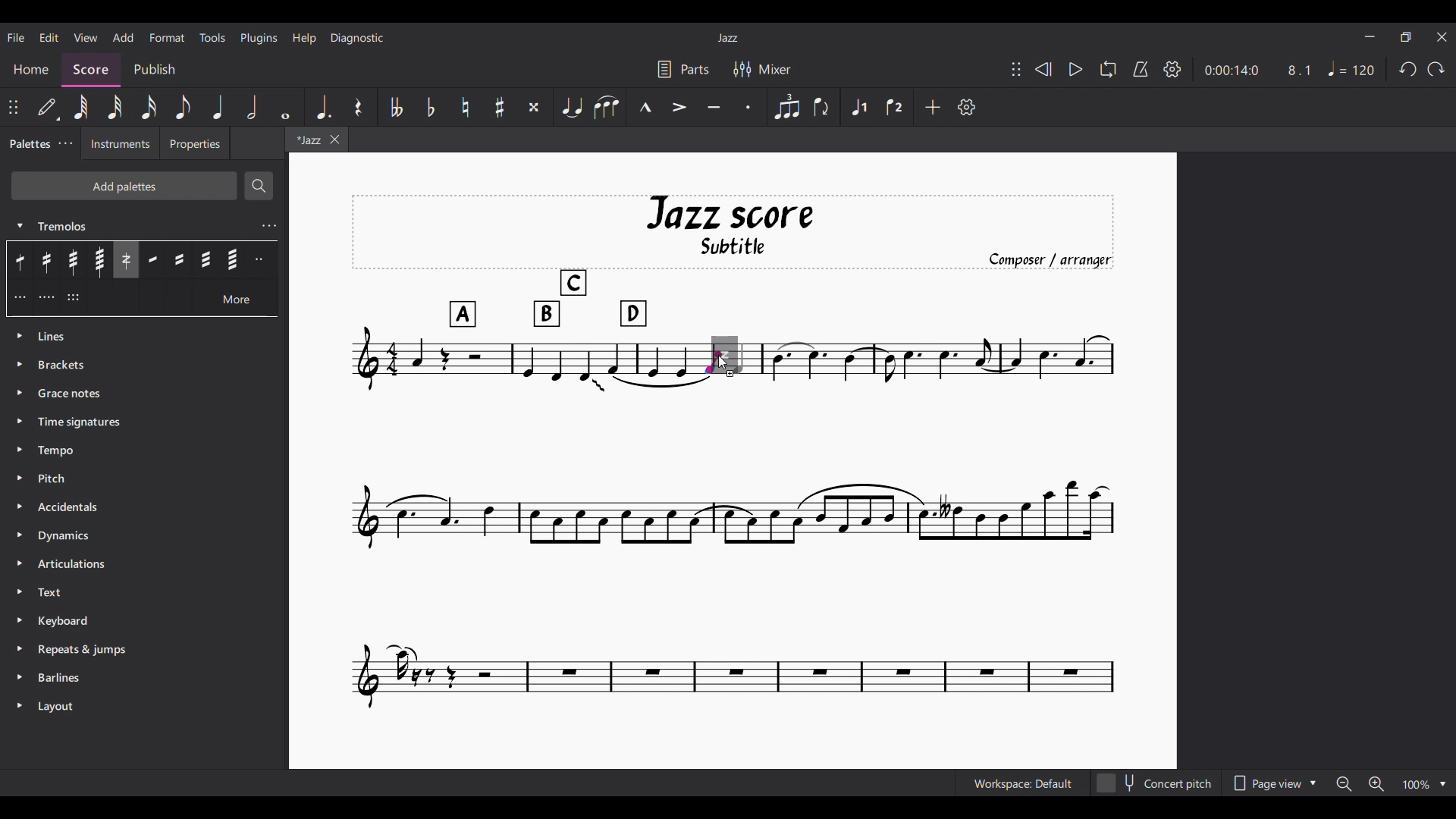 Image resolution: width=1456 pixels, height=819 pixels. Describe the element at coordinates (967, 107) in the screenshot. I see `Customize settings` at that location.